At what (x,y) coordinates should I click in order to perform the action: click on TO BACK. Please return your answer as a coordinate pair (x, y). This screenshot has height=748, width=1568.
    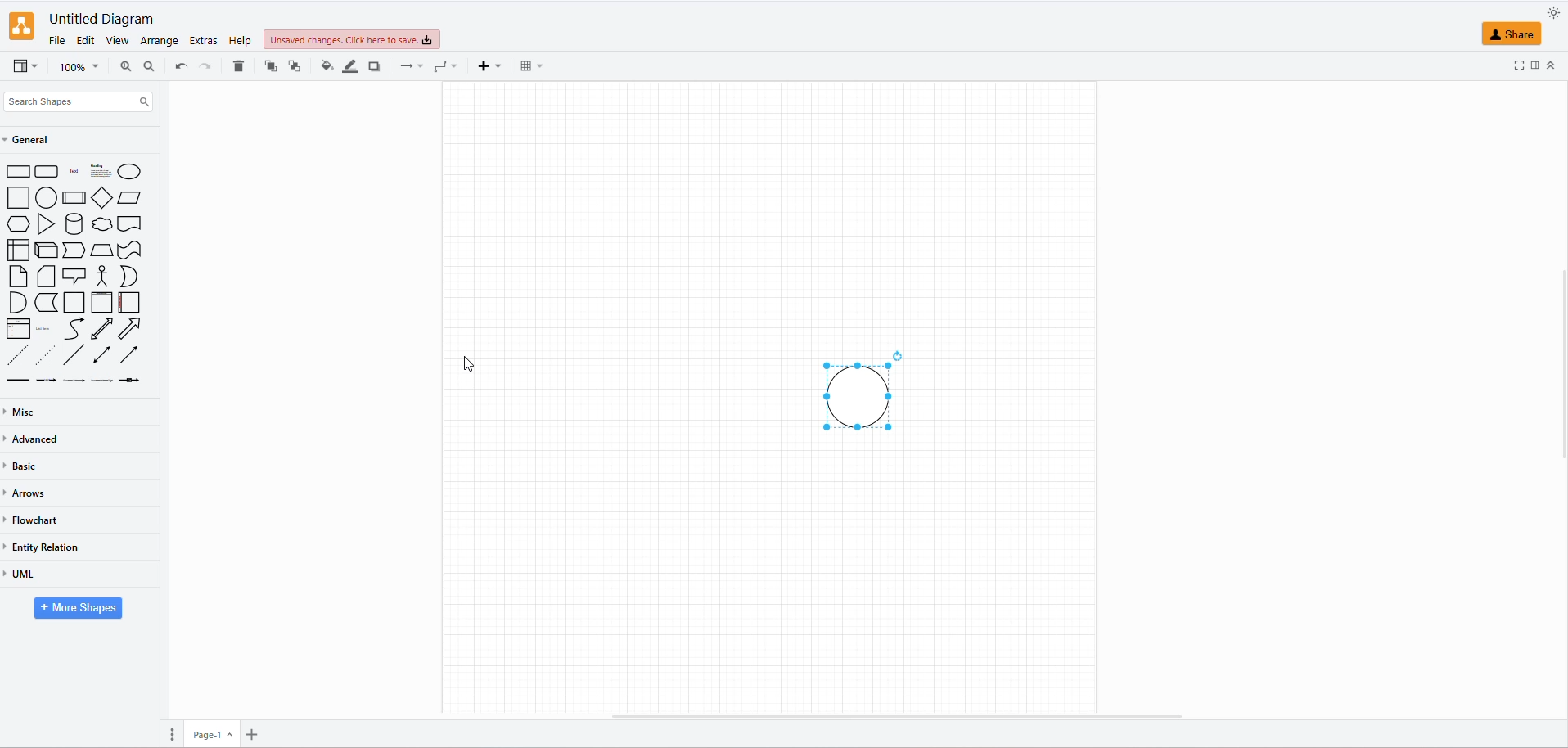
    Looking at the image, I should click on (292, 66).